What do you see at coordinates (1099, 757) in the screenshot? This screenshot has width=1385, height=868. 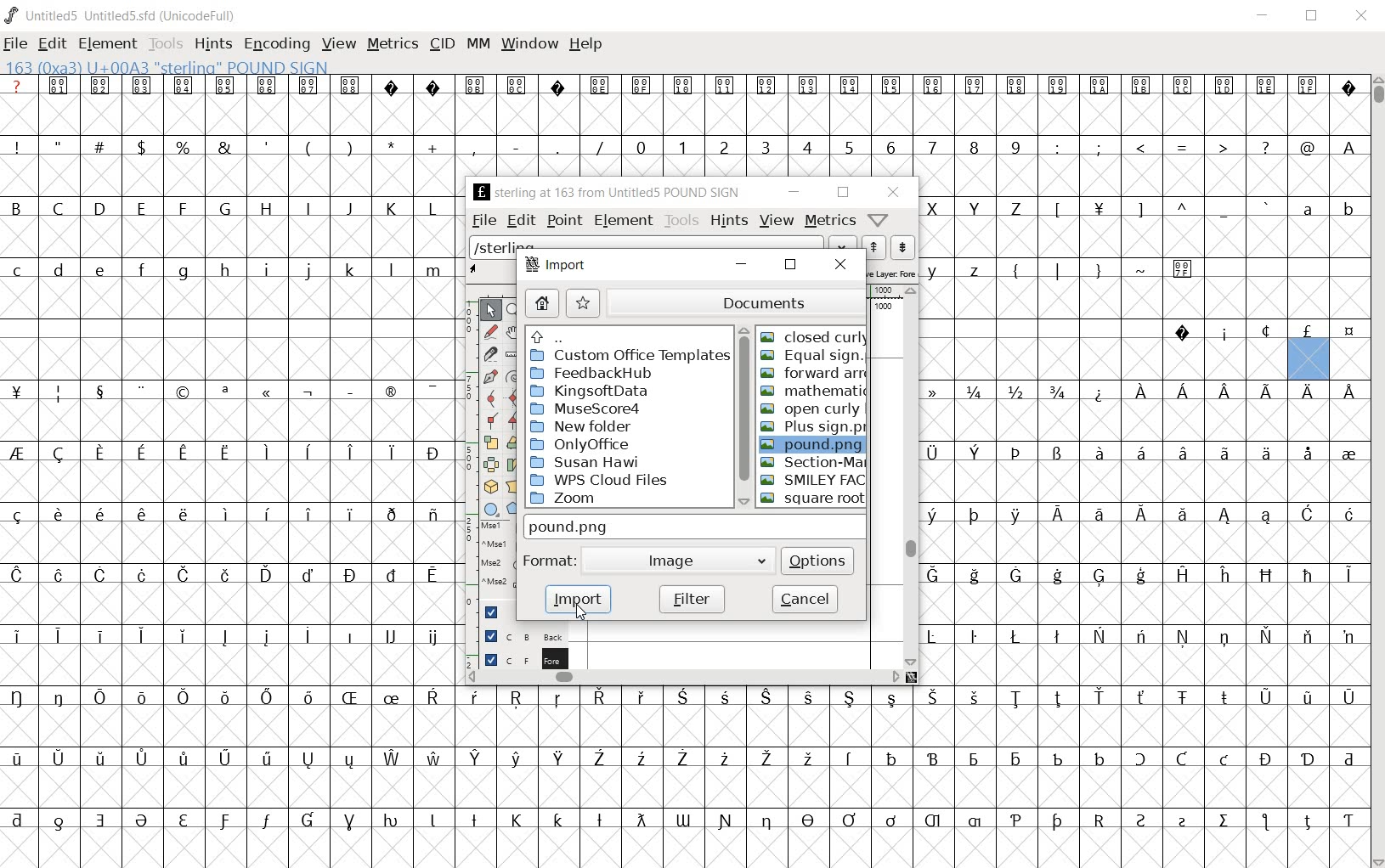 I see `Symbol` at bounding box center [1099, 757].